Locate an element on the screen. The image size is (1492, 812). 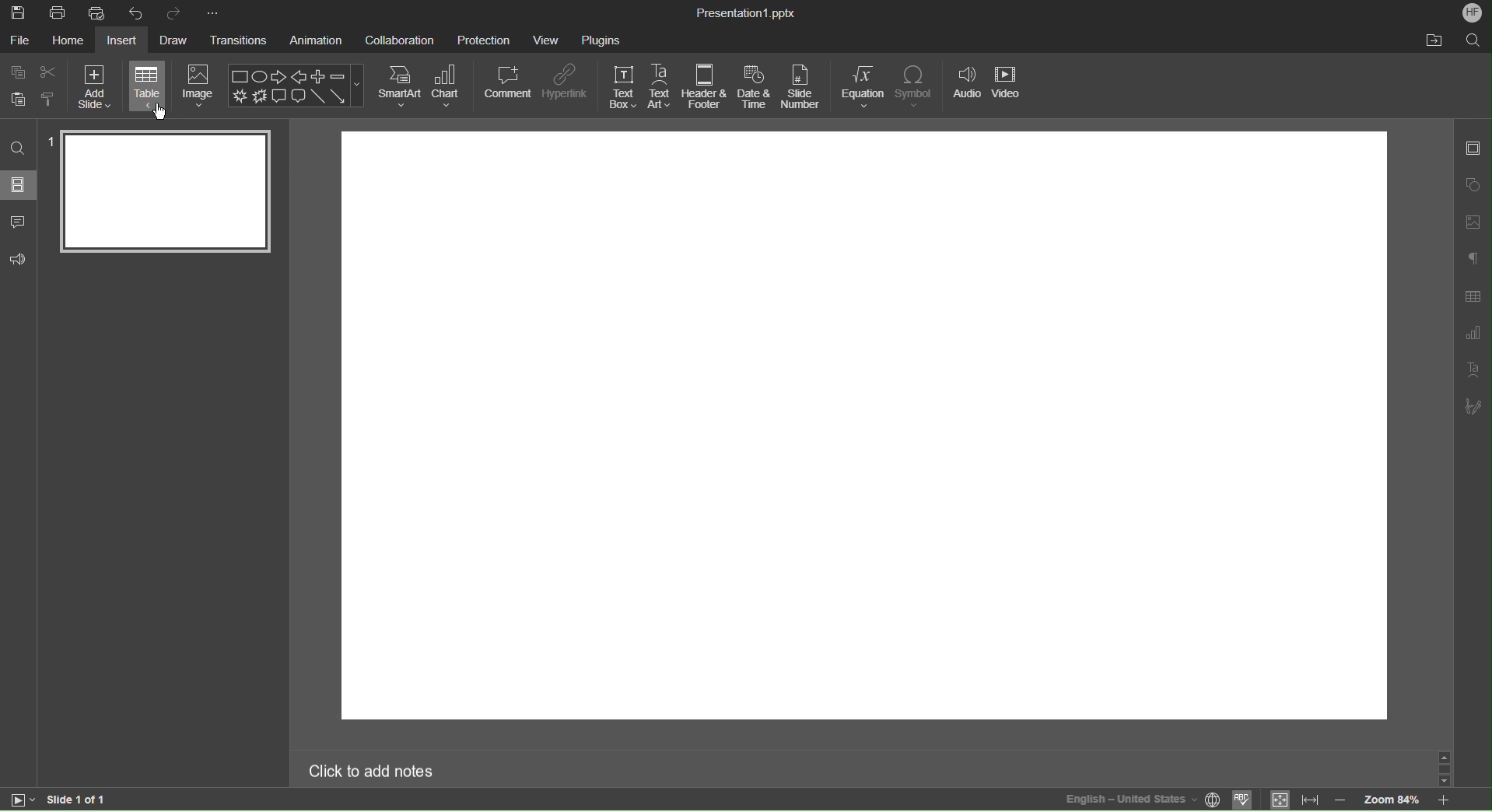
Image is located at coordinates (201, 83).